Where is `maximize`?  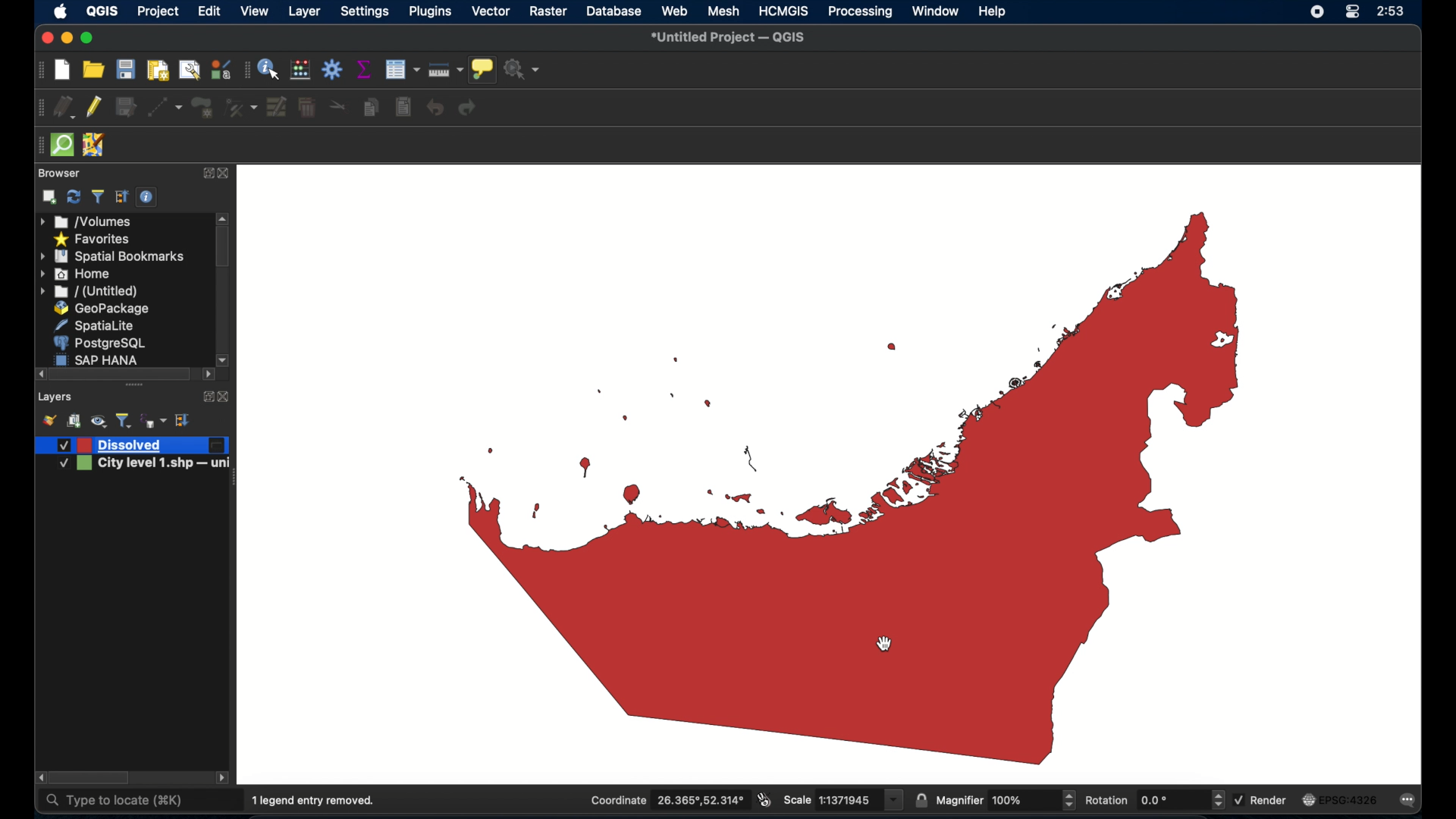 maximize is located at coordinates (45, 39).